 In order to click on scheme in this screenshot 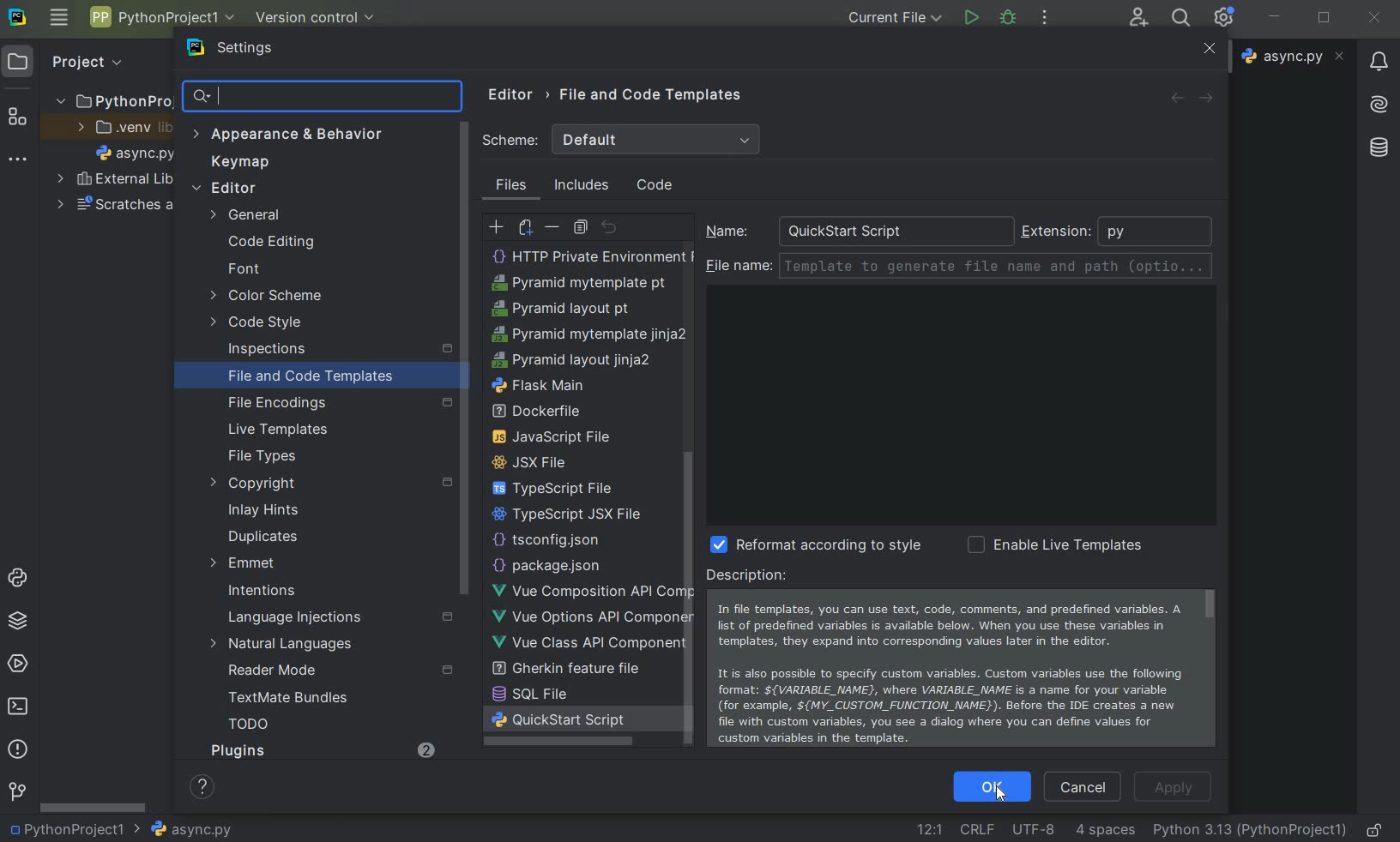, I will do `click(619, 140)`.